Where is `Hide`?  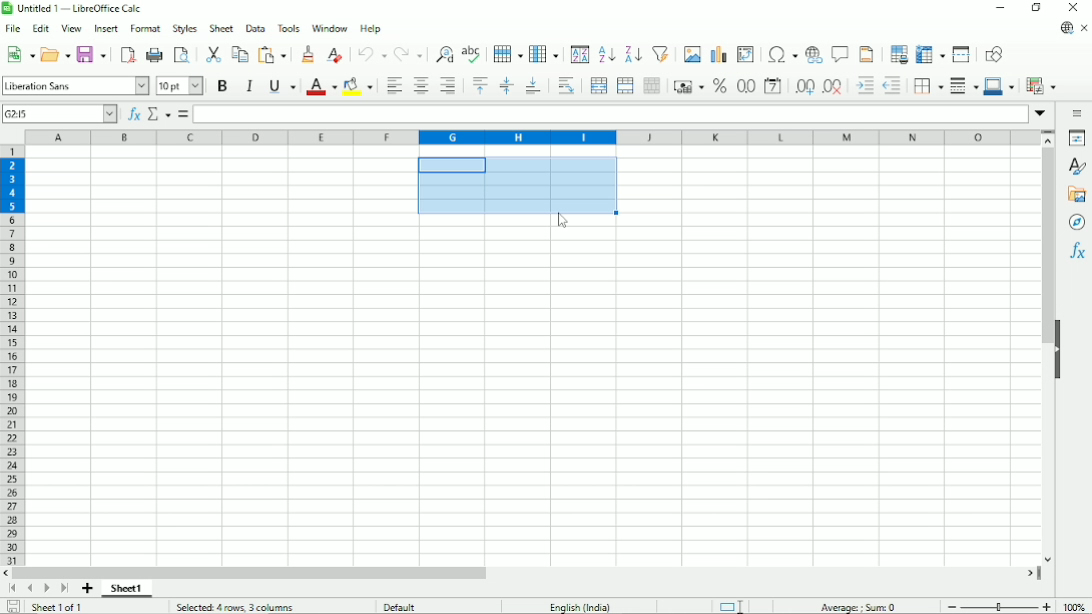 Hide is located at coordinates (1059, 350).